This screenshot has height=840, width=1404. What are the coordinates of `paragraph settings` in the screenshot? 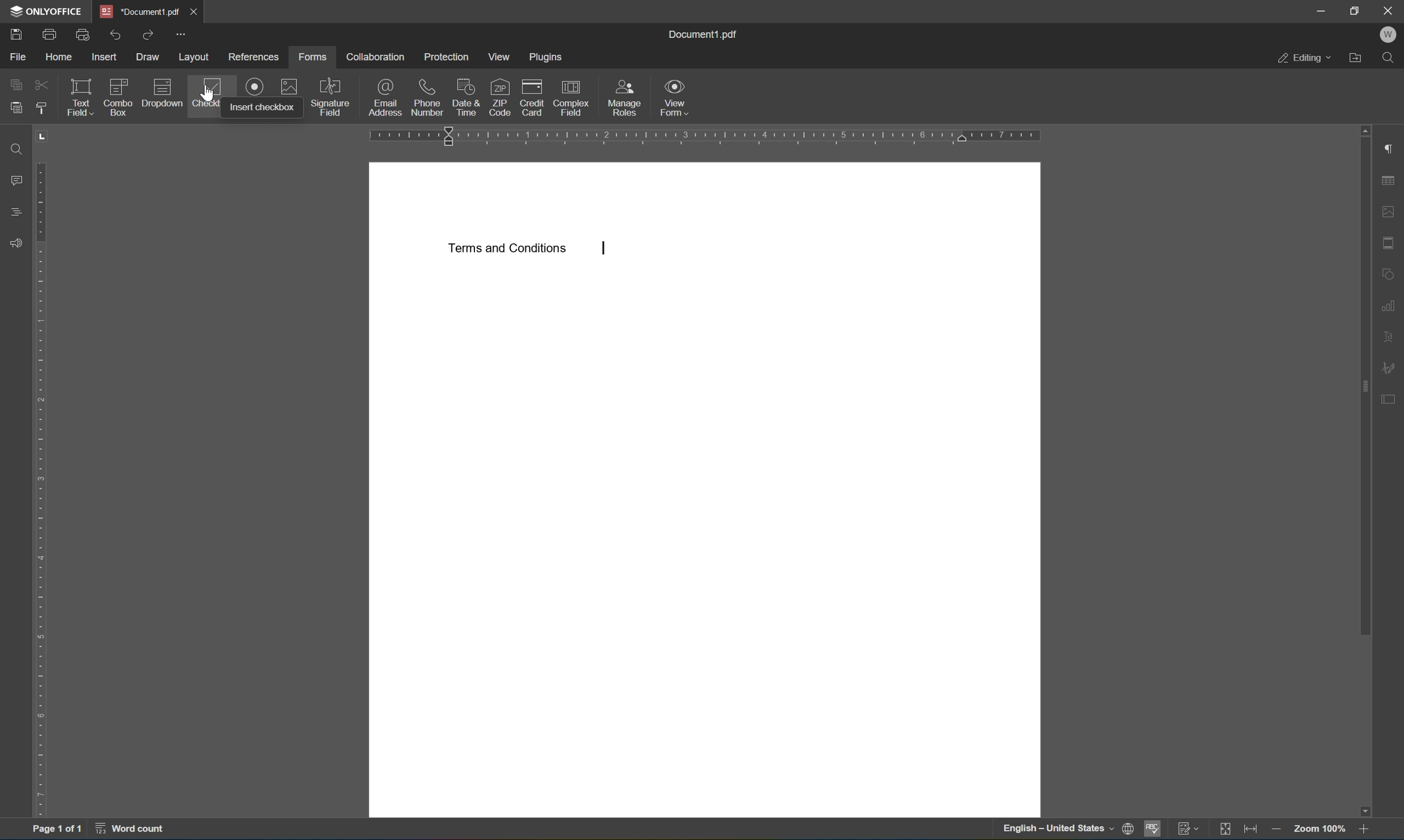 It's located at (1392, 147).